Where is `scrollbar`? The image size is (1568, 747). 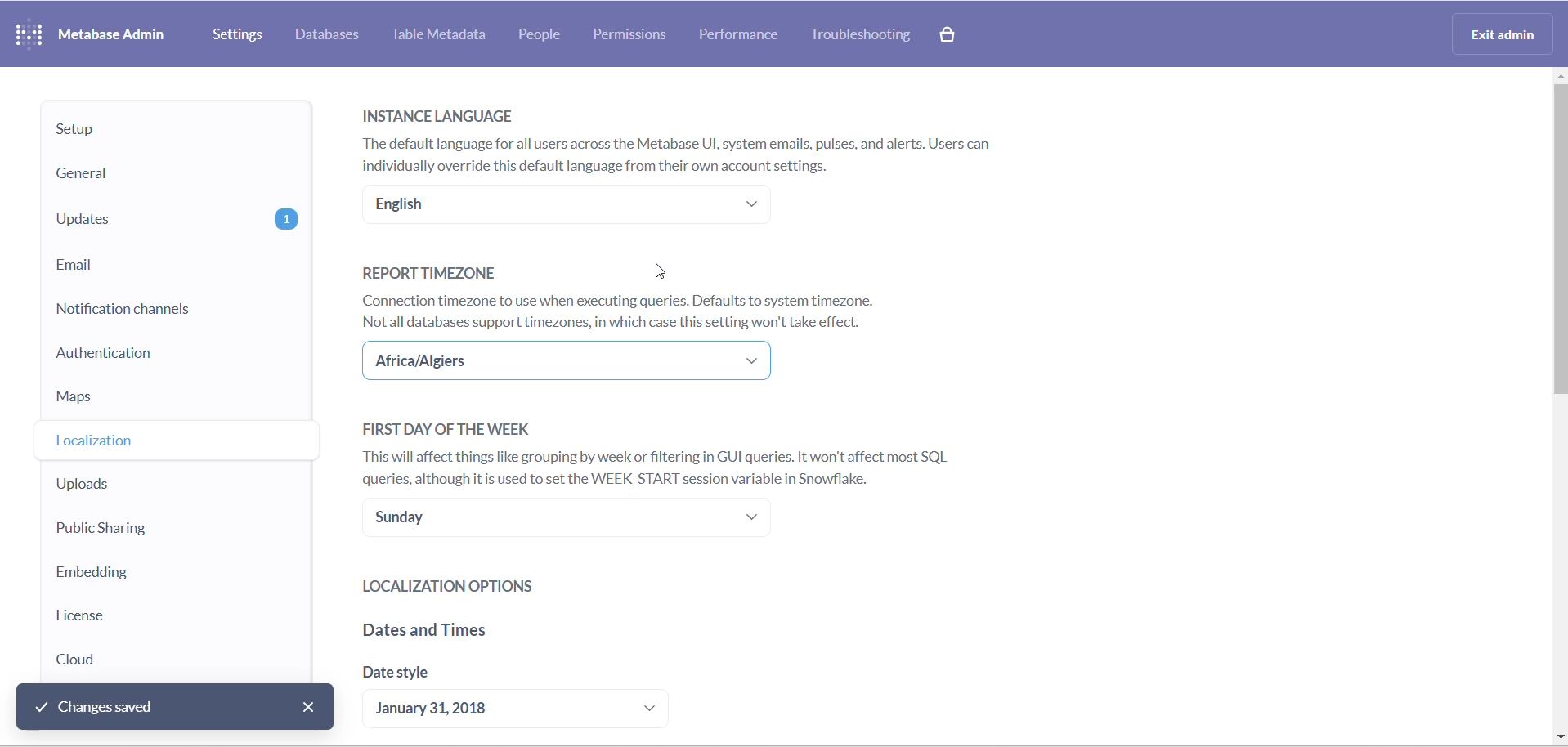
scrollbar is located at coordinates (1558, 264).